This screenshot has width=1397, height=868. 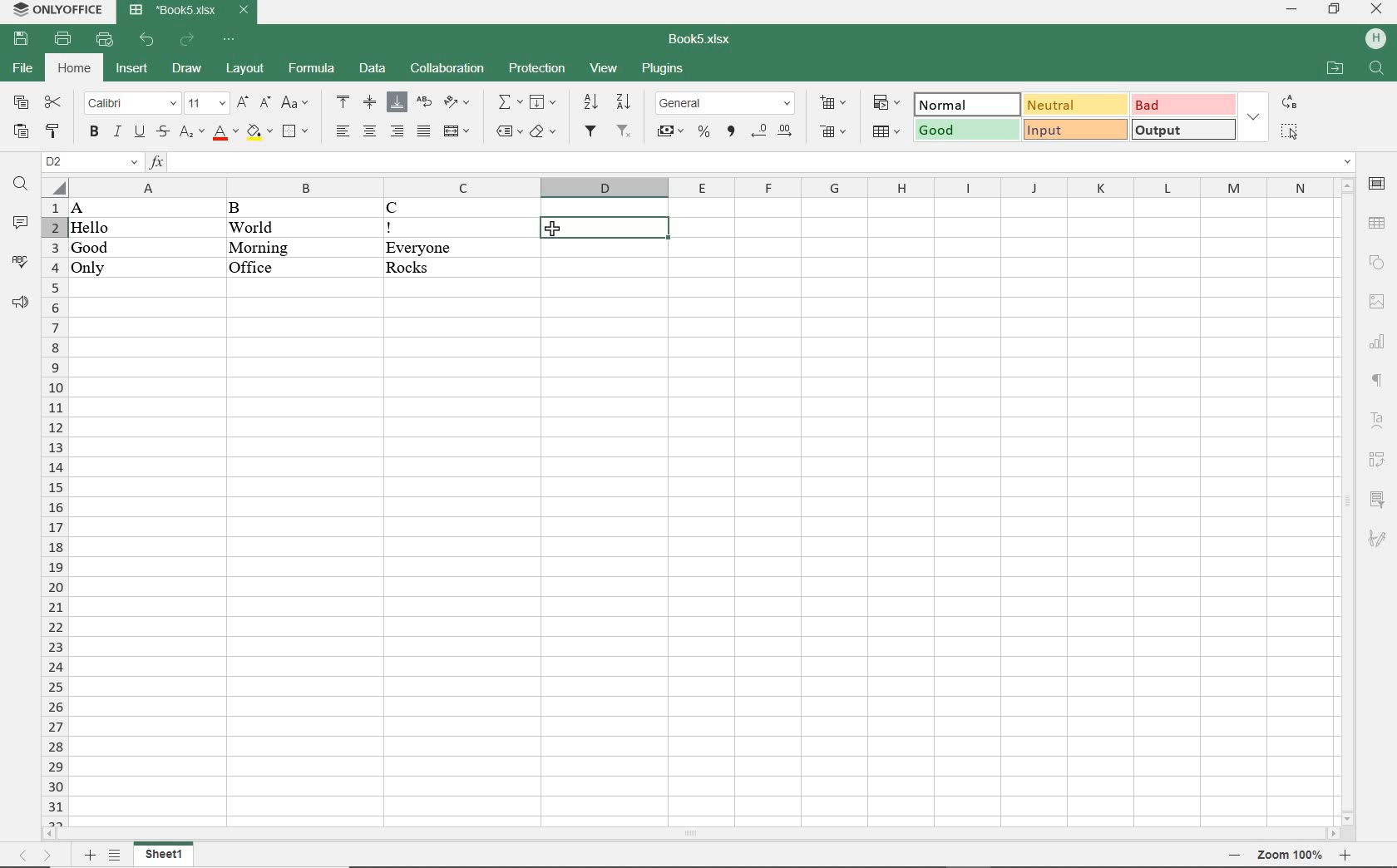 I want to click on align top, so click(x=344, y=103).